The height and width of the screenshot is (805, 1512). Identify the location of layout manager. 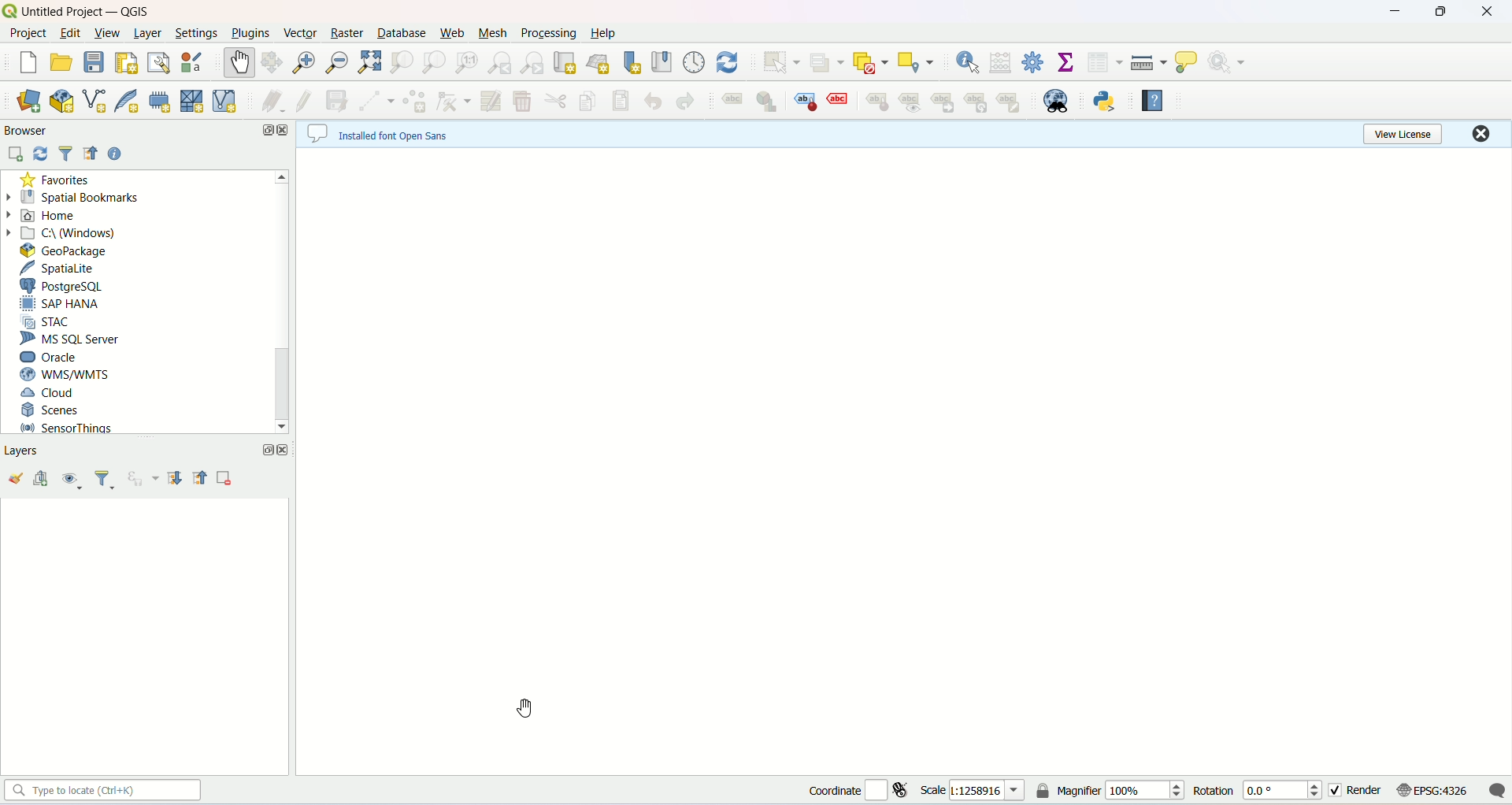
(159, 63).